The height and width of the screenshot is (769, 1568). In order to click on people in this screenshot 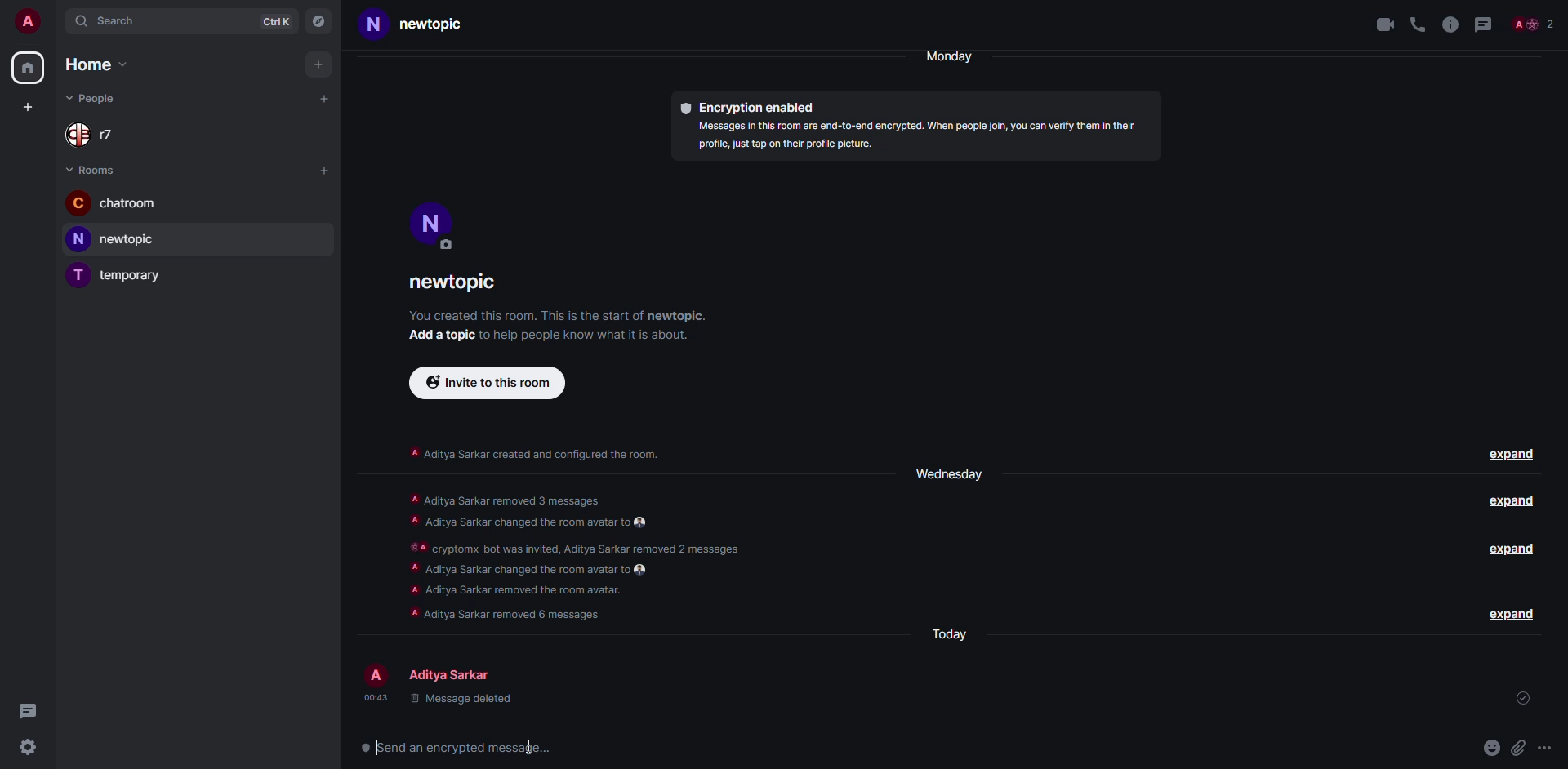, I will do `click(96, 96)`.